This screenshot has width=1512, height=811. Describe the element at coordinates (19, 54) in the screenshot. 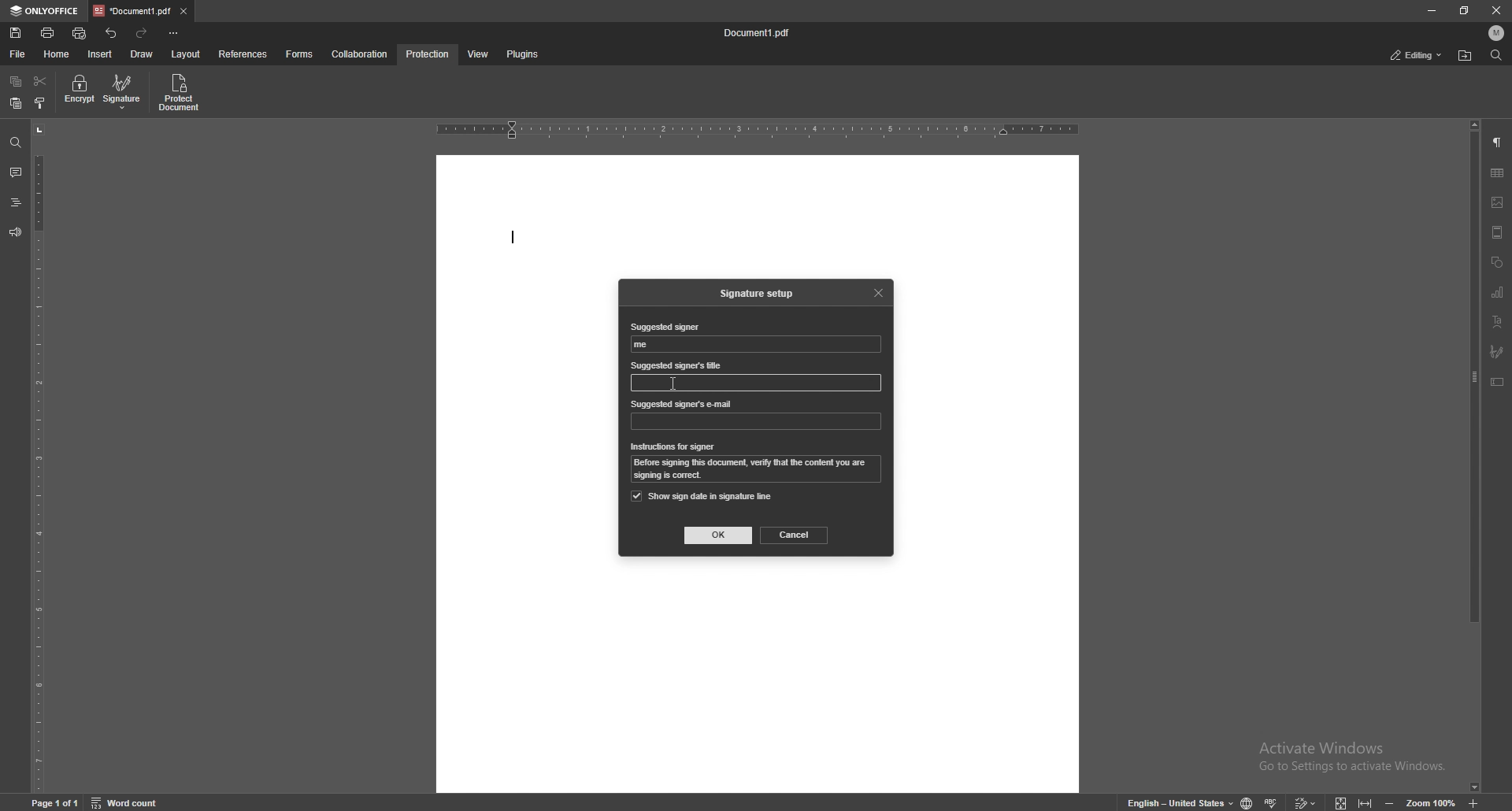

I see `file` at that location.